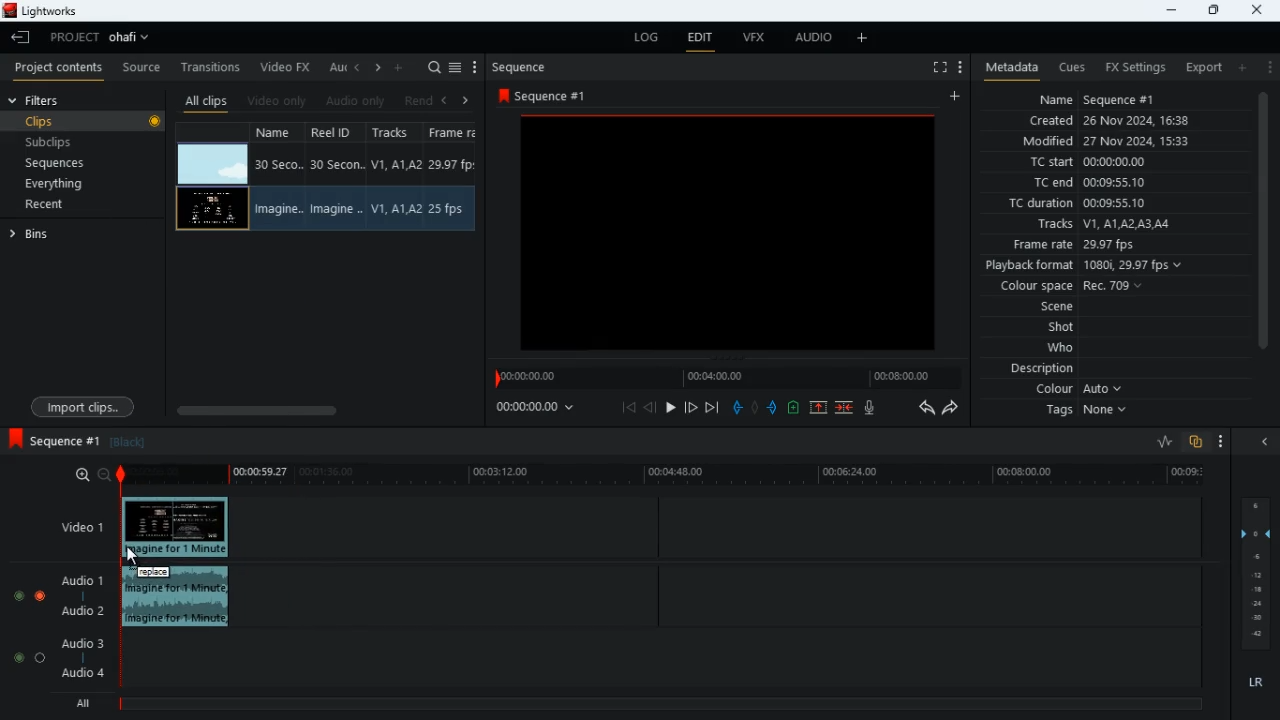 Image resolution: width=1280 pixels, height=720 pixels. I want to click on Name, so click(276, 210).